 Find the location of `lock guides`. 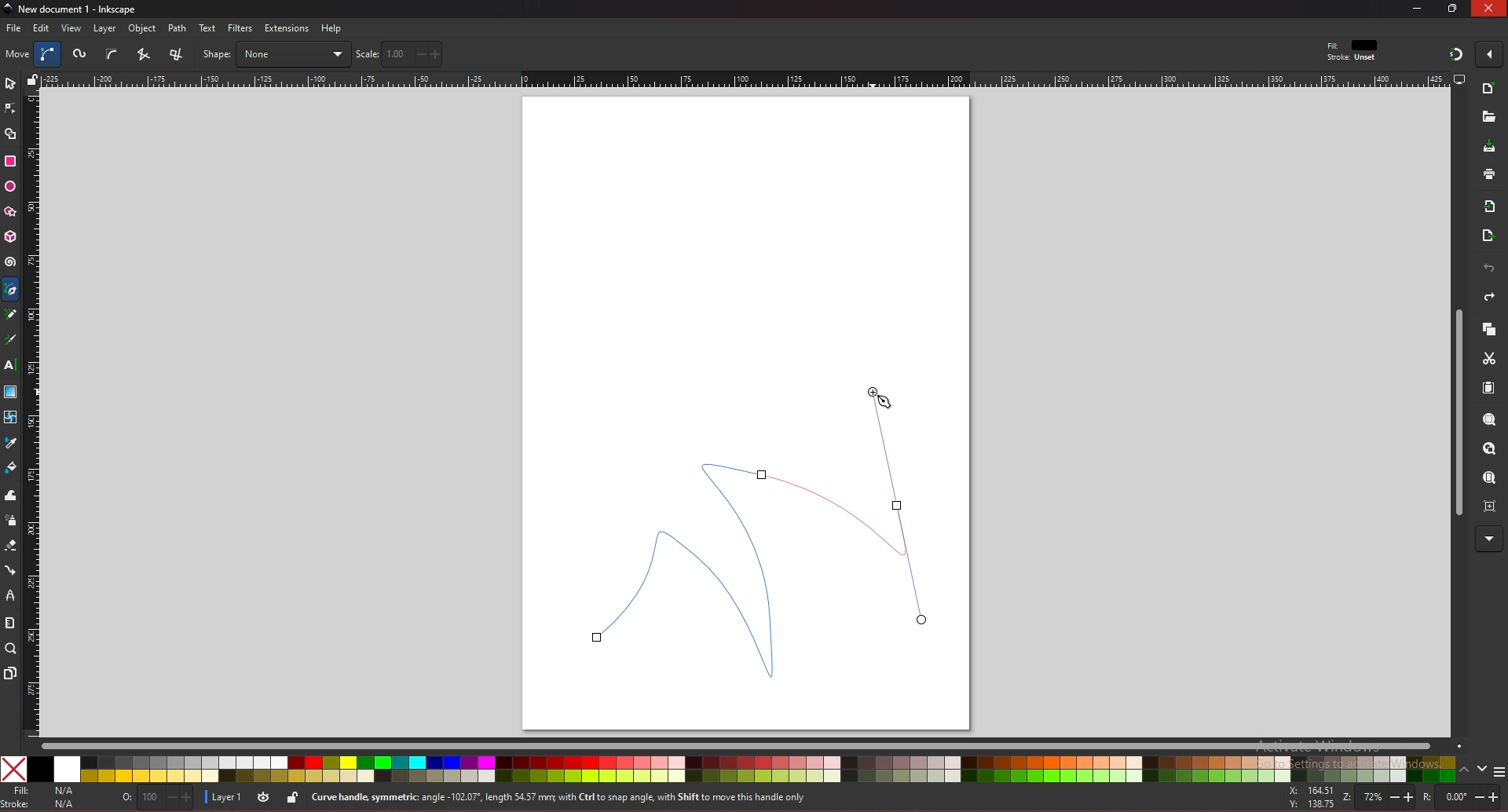

lock guides is located at coordinates (32, 79).